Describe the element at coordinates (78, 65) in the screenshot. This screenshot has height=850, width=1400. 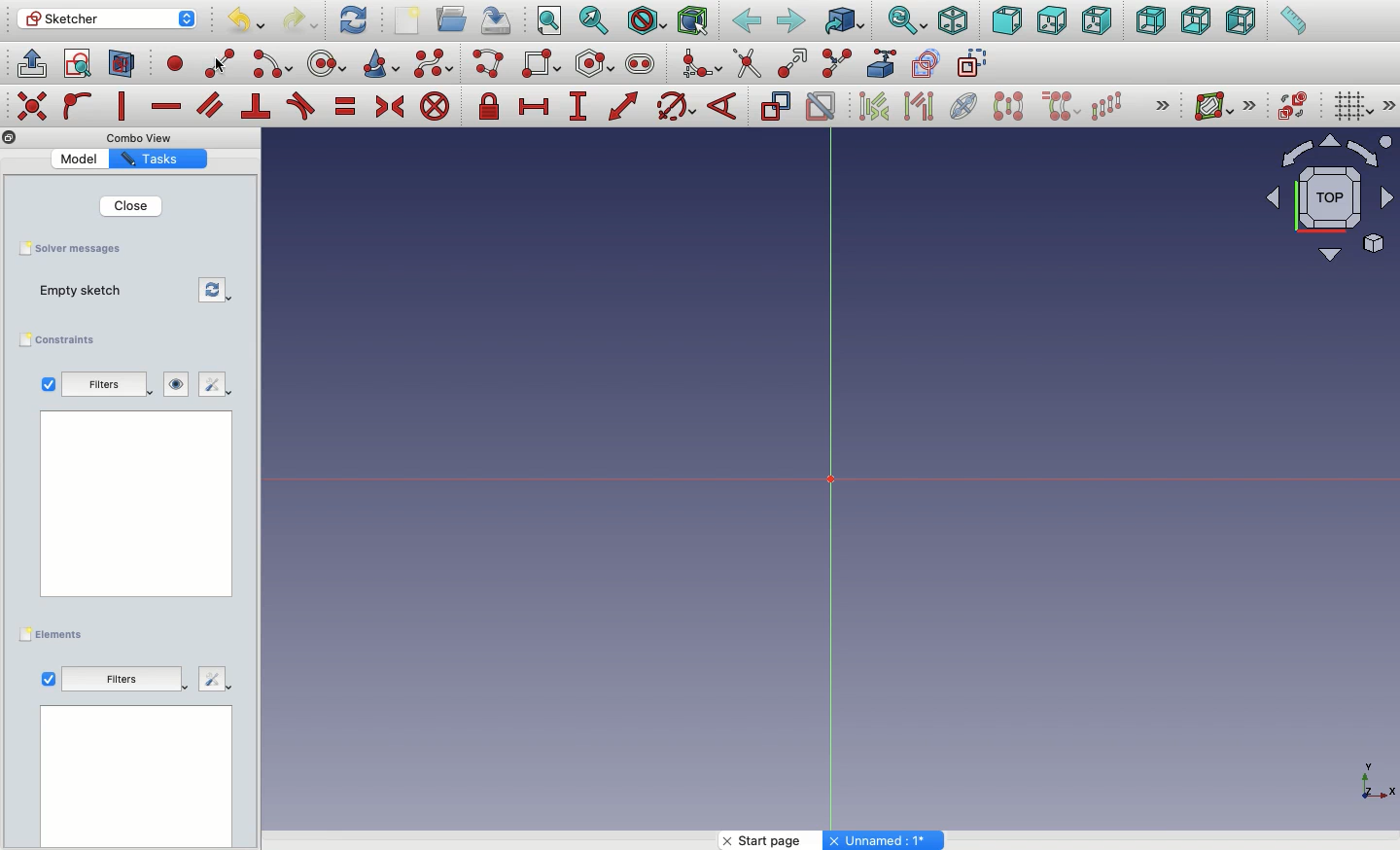
I see `View sketch` at that location.